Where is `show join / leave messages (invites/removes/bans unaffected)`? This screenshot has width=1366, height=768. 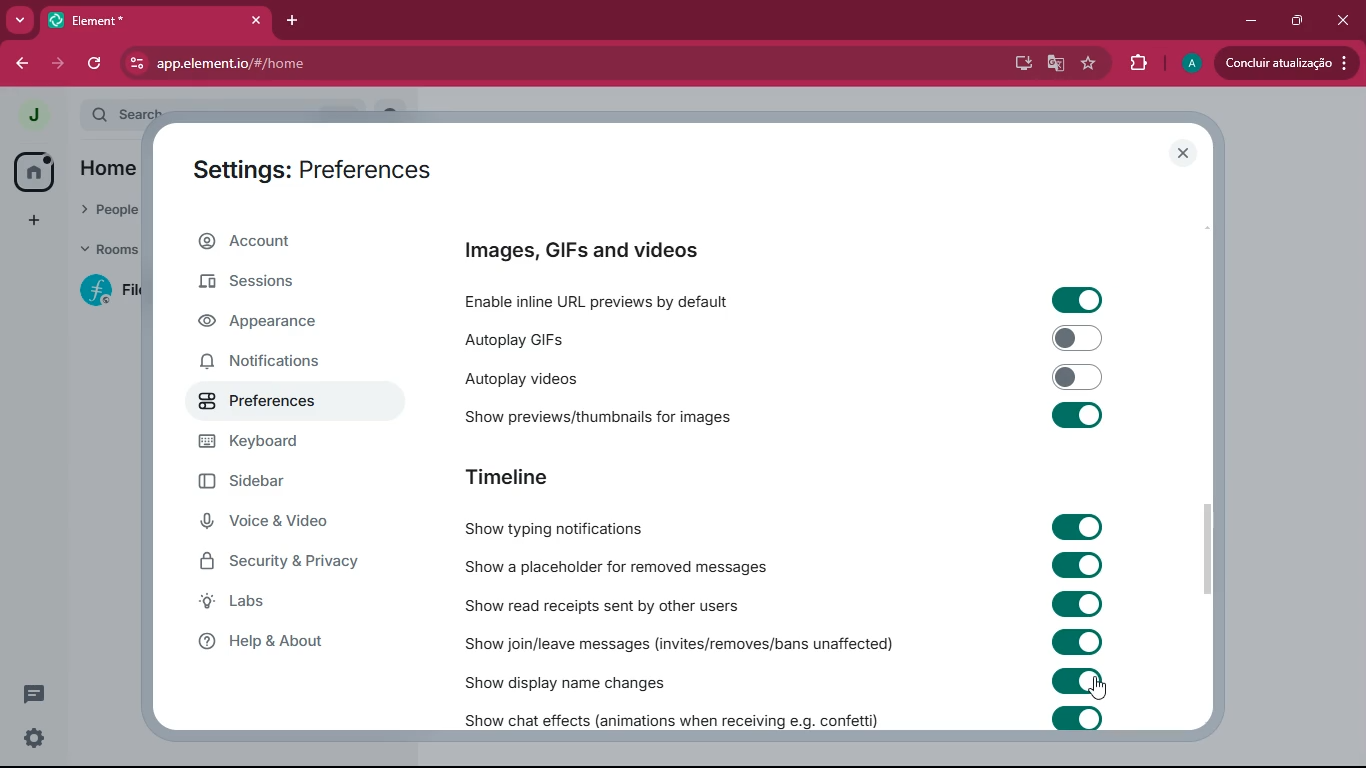
show join / leave messages (invites/removes/bans unaffected) is located at coordinates (676, 643).